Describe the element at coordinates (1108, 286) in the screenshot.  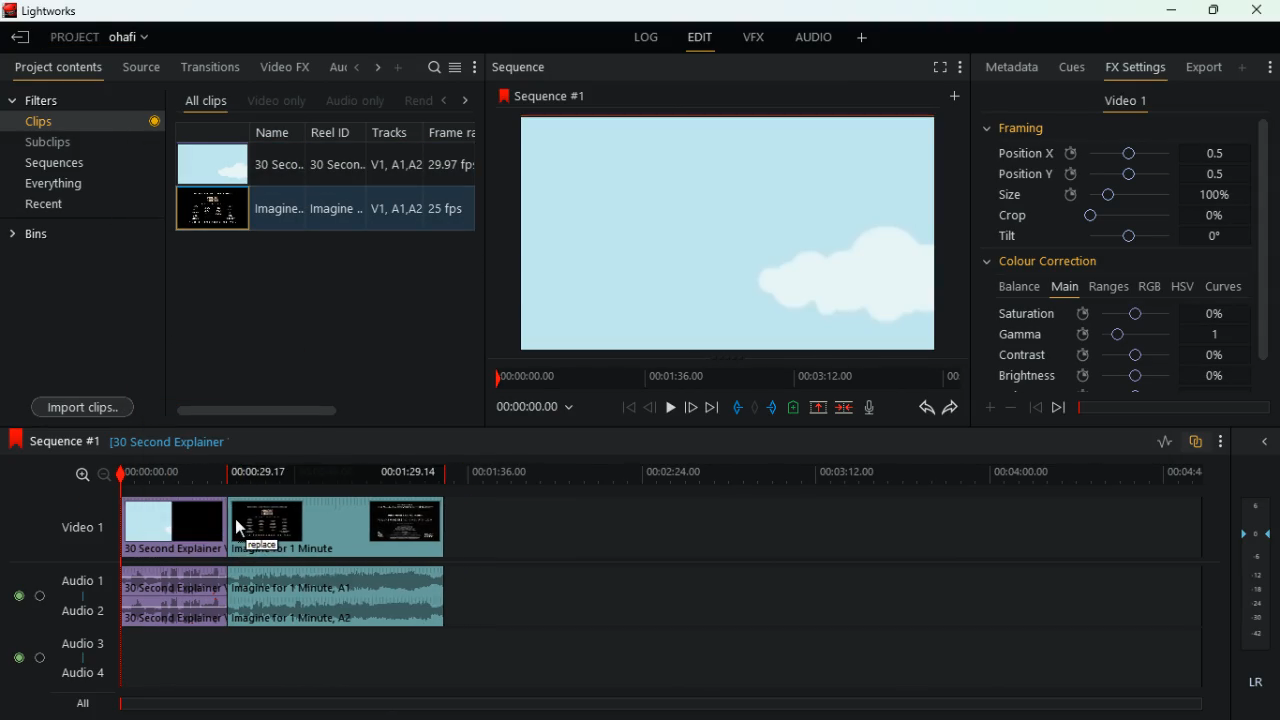
I see `ranges` at that location.